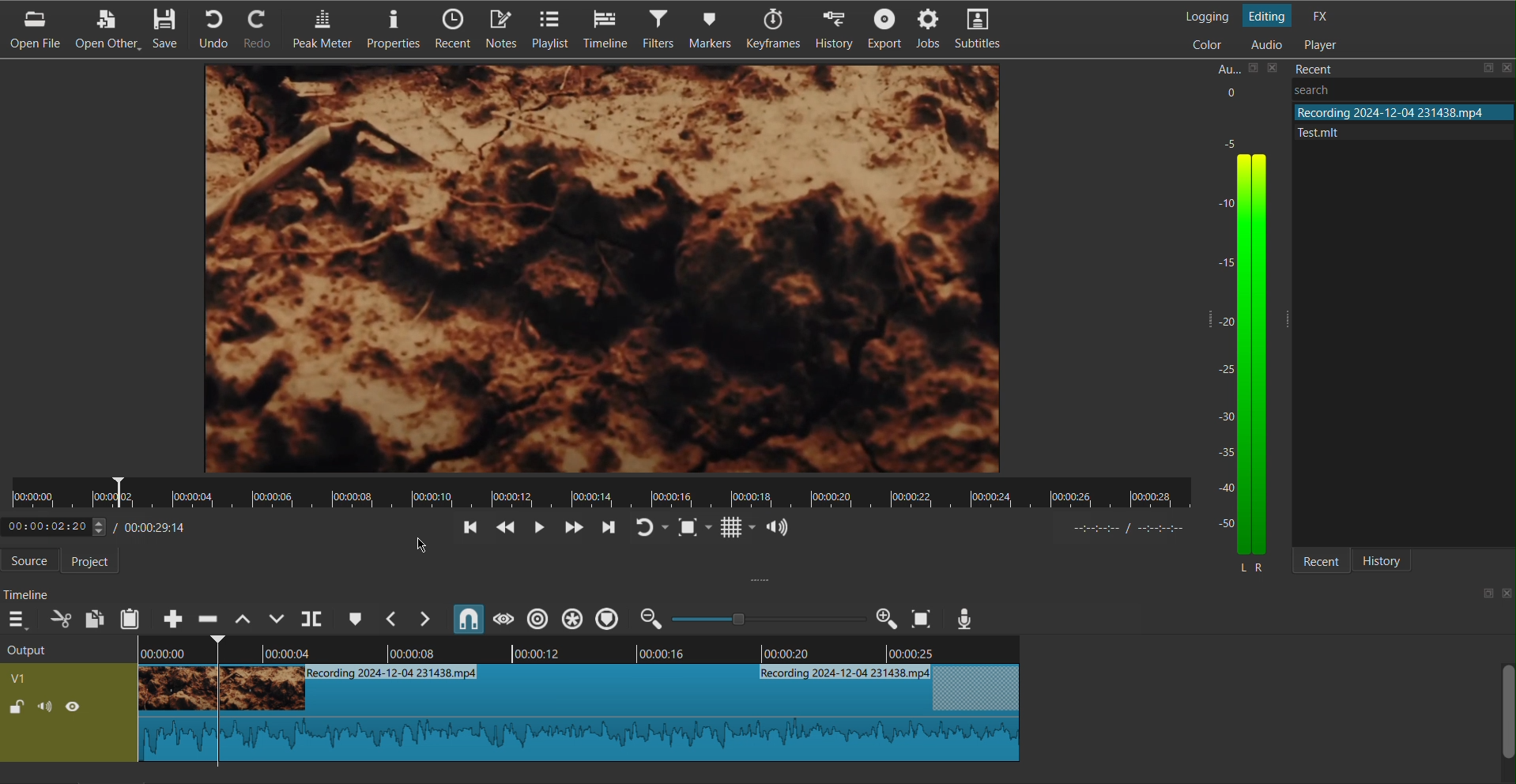 Image resolution: width=1516 pixels, height=784 pixels. I want to click on Ripple Markers, so click(607, 619).